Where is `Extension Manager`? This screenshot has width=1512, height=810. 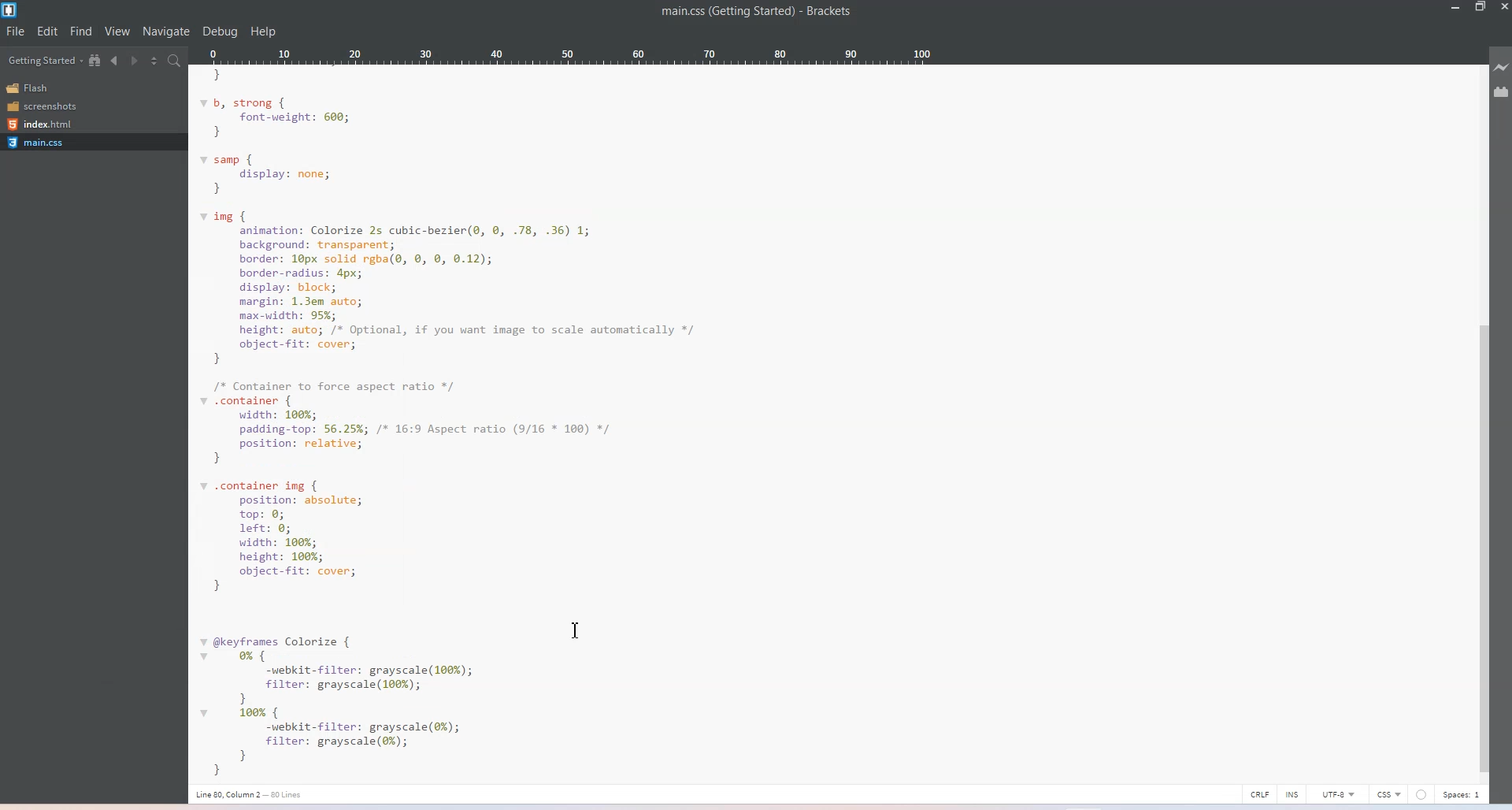
Extension Manager is located at coordinates (1503, 93).